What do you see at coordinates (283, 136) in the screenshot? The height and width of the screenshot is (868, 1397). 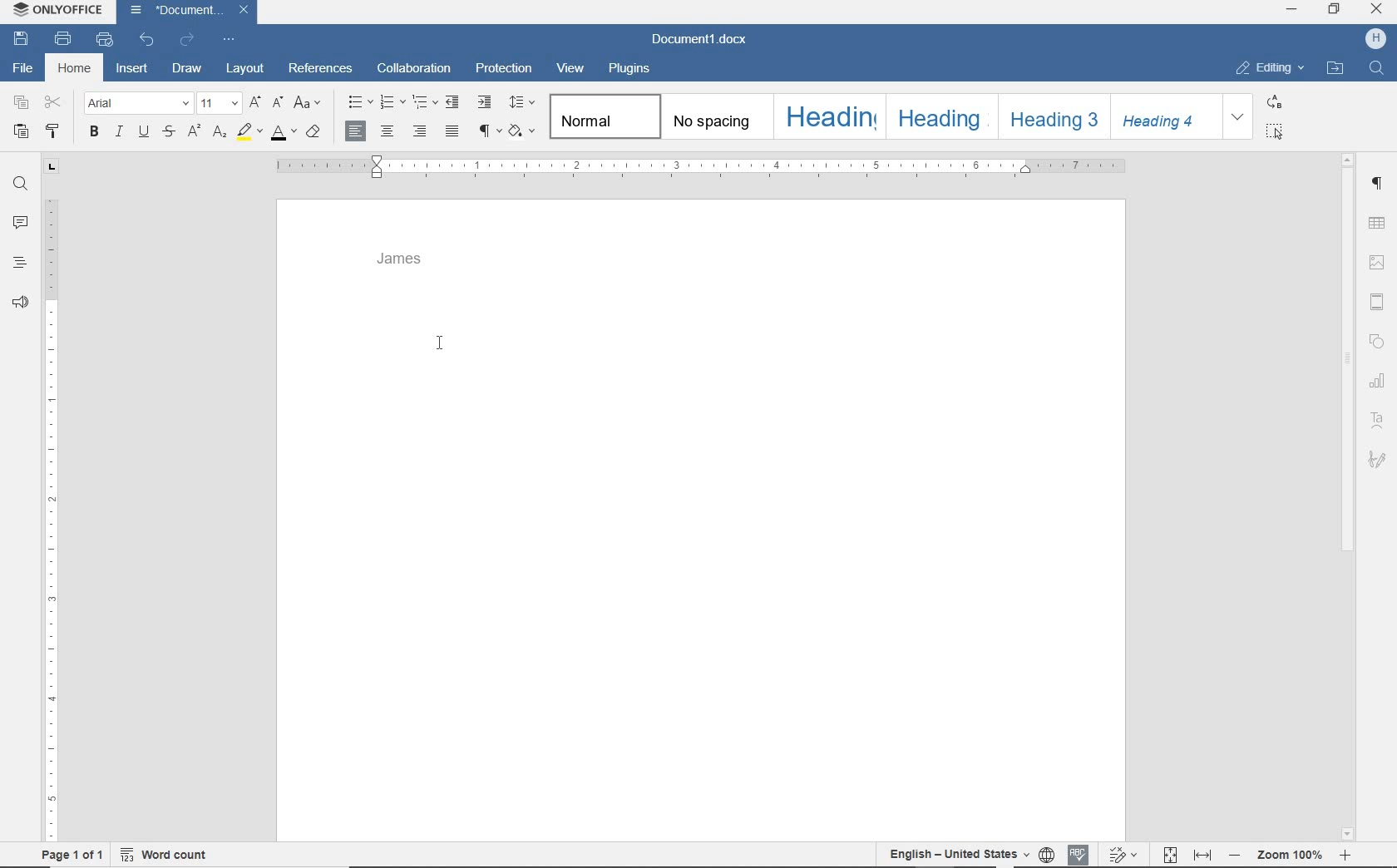 I see `font color` at bounding box center [283, 136].